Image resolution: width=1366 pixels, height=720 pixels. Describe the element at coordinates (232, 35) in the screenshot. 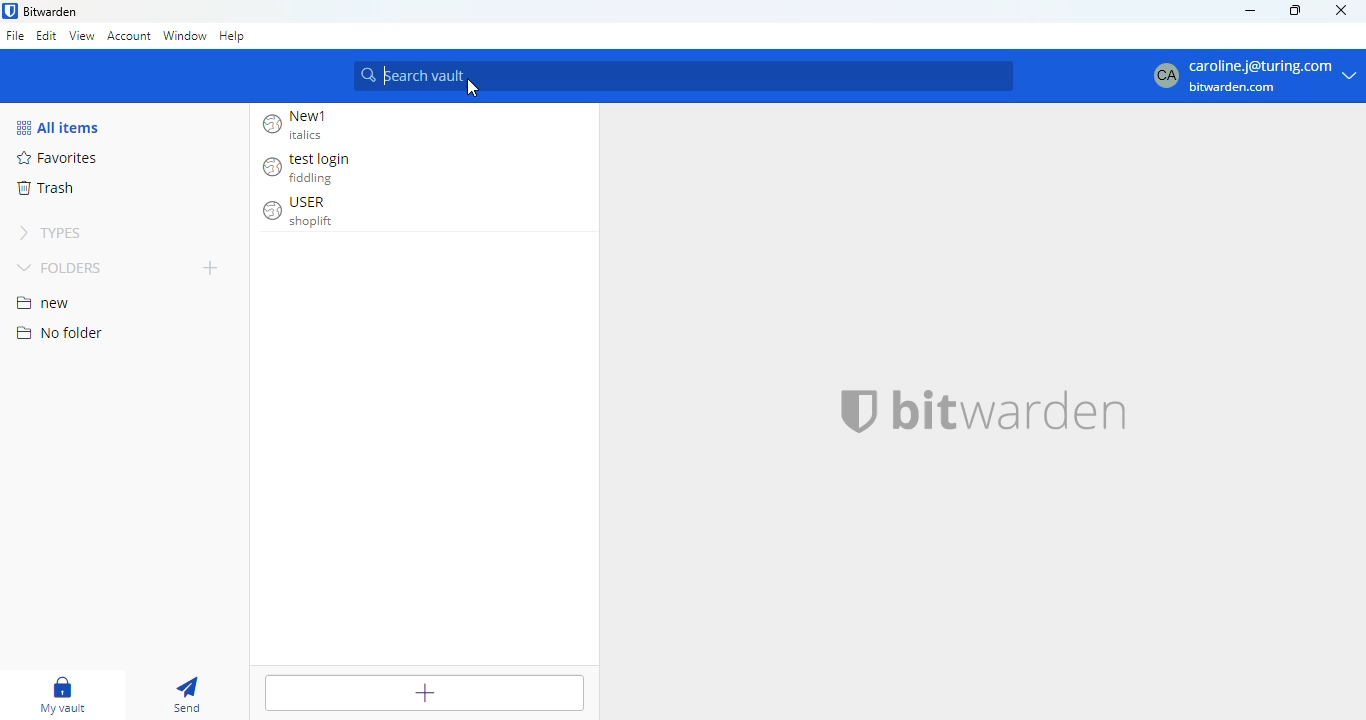

I see `help` at that location.